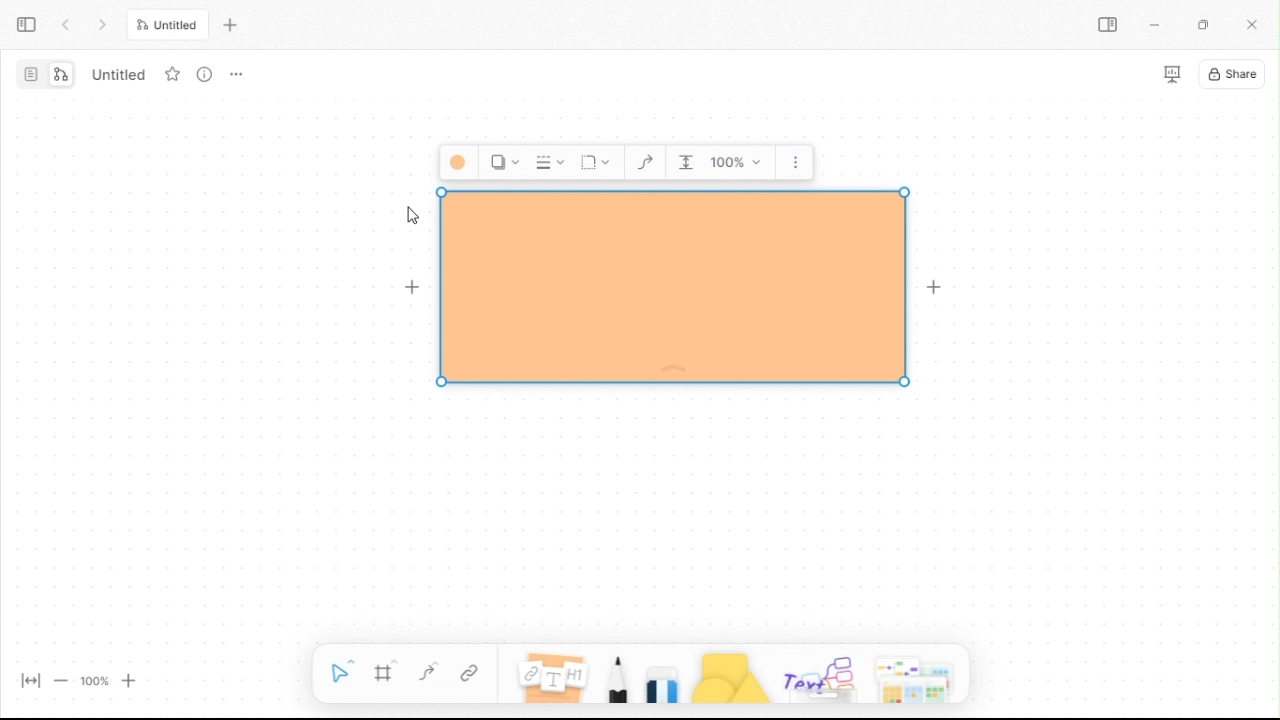  I want to click on zoom out, so click(61, 680).